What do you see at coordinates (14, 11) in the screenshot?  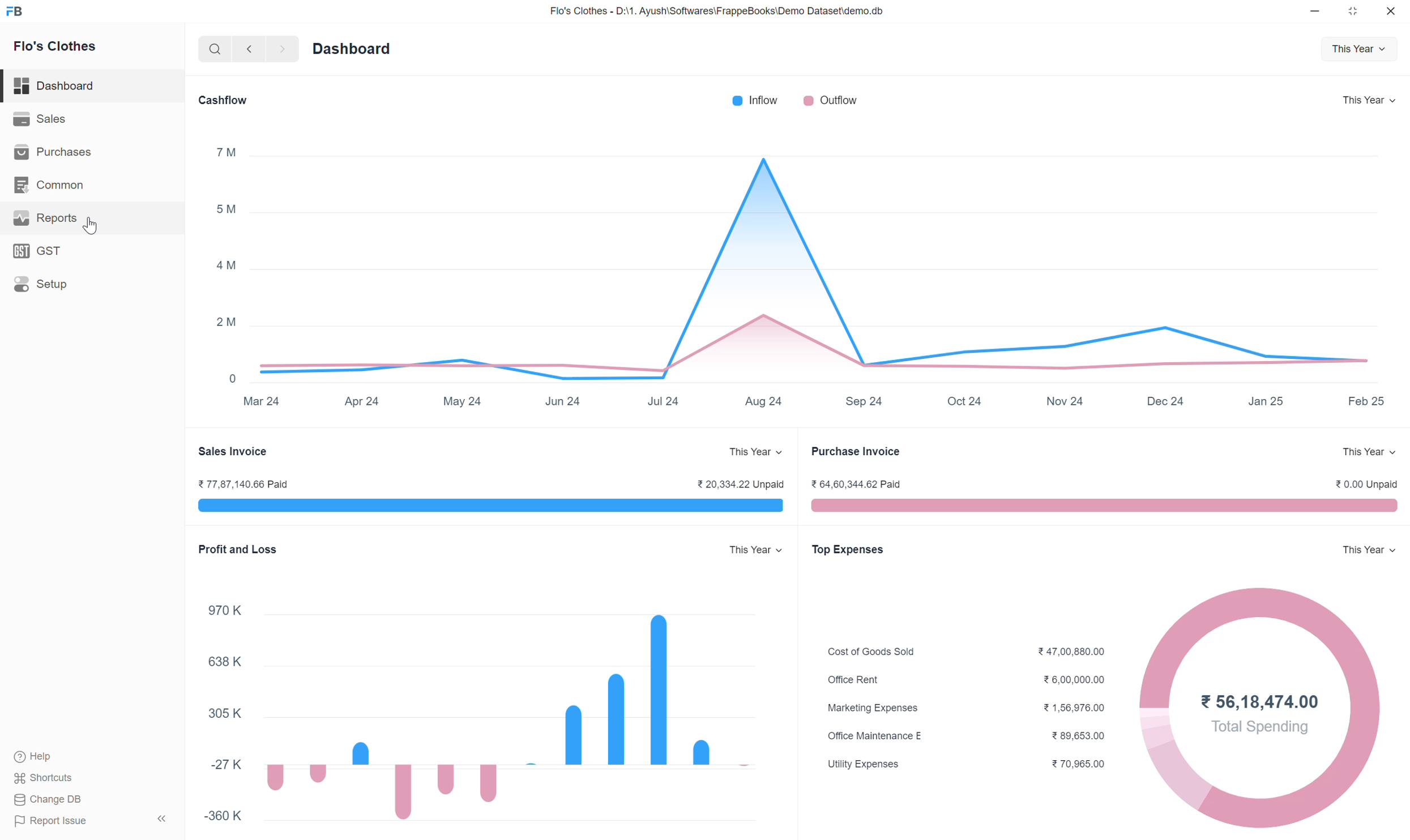 I see `FB` at bounding box center [14, 11].